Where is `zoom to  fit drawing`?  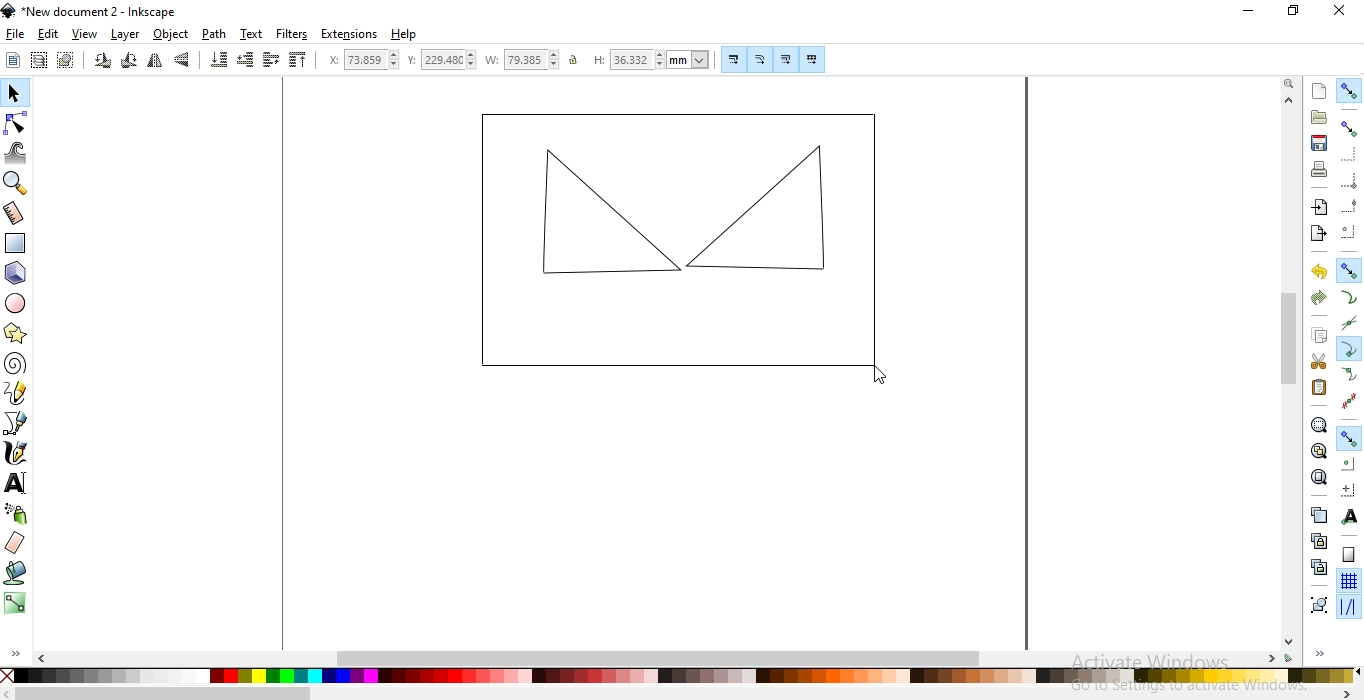 zoom to  fit drawing is located at coordinates (1316, 452).